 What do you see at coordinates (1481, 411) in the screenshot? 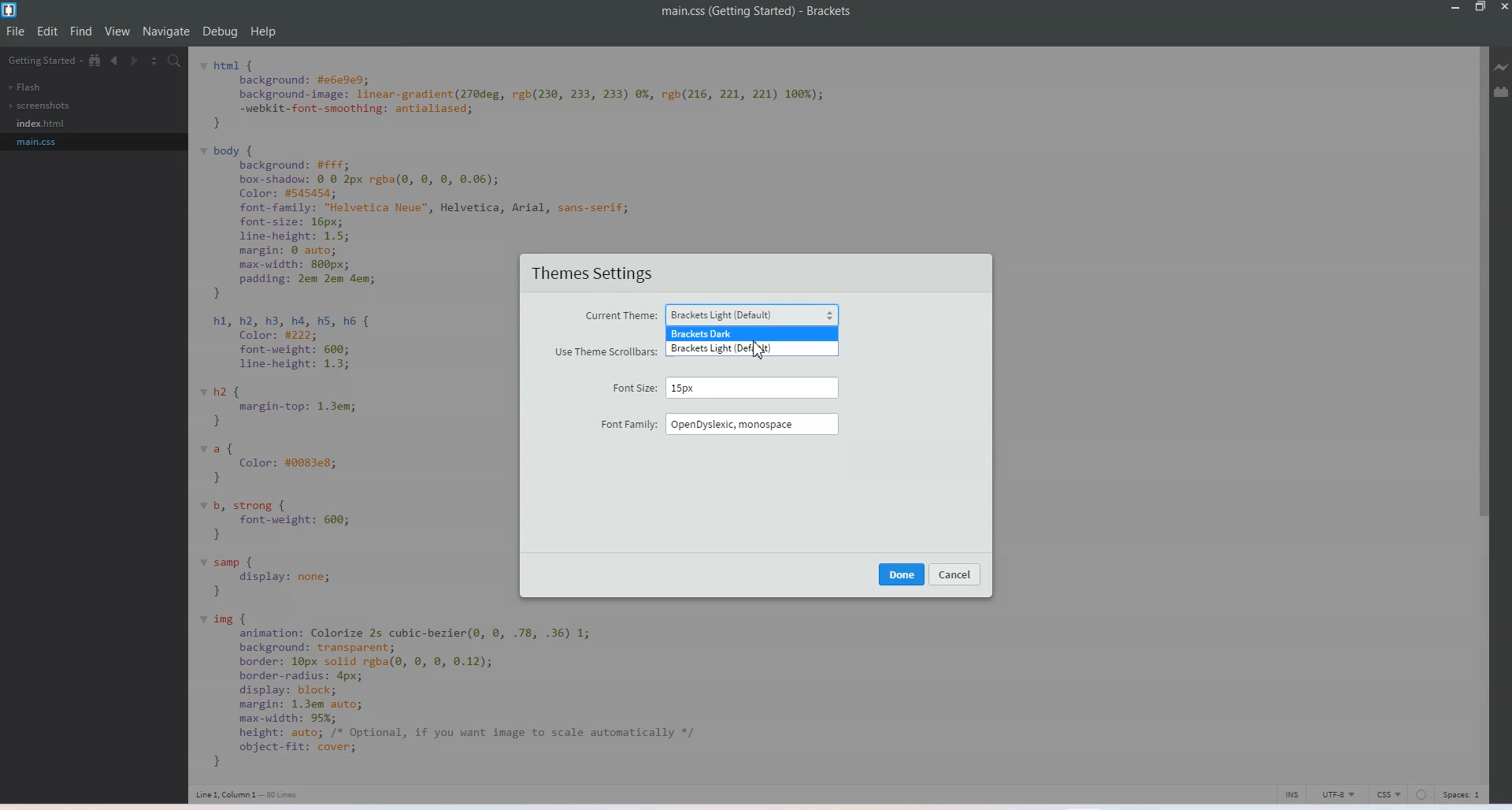
I see `Vertical Scroll bar` at bounding box center [1481, 411].